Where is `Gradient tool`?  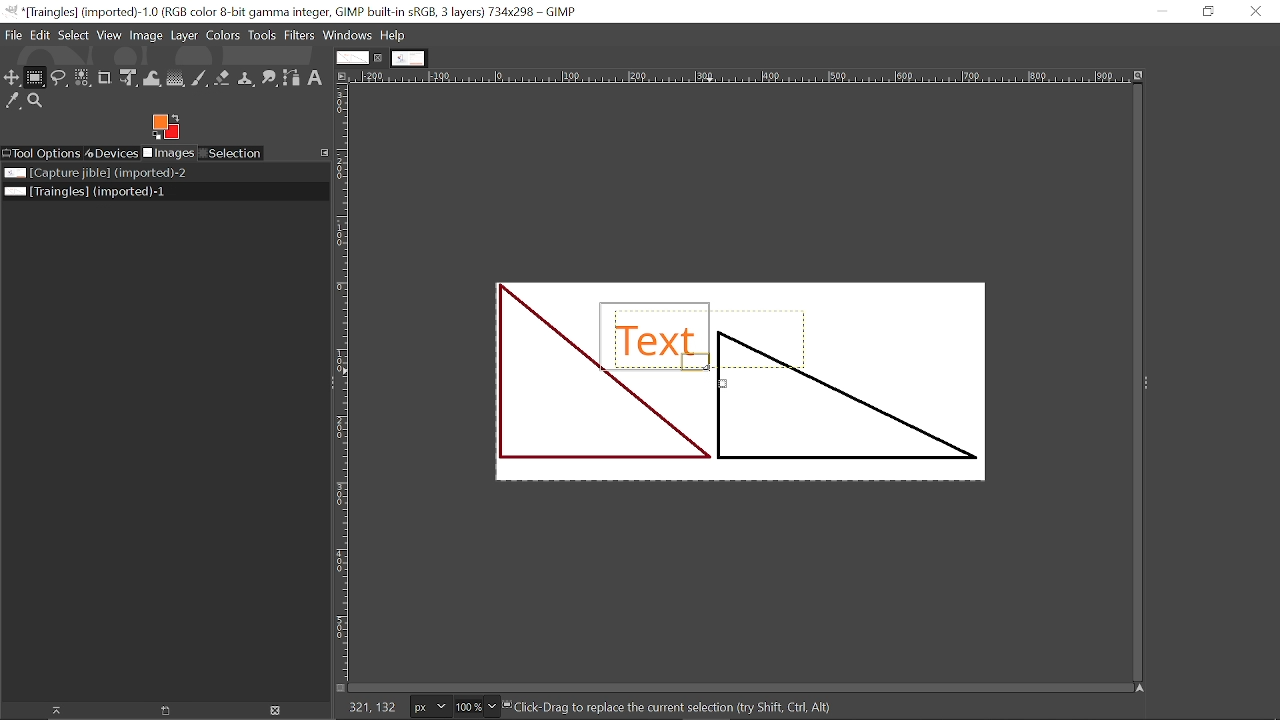 Gradient tool is located at coordinates (176, 79).